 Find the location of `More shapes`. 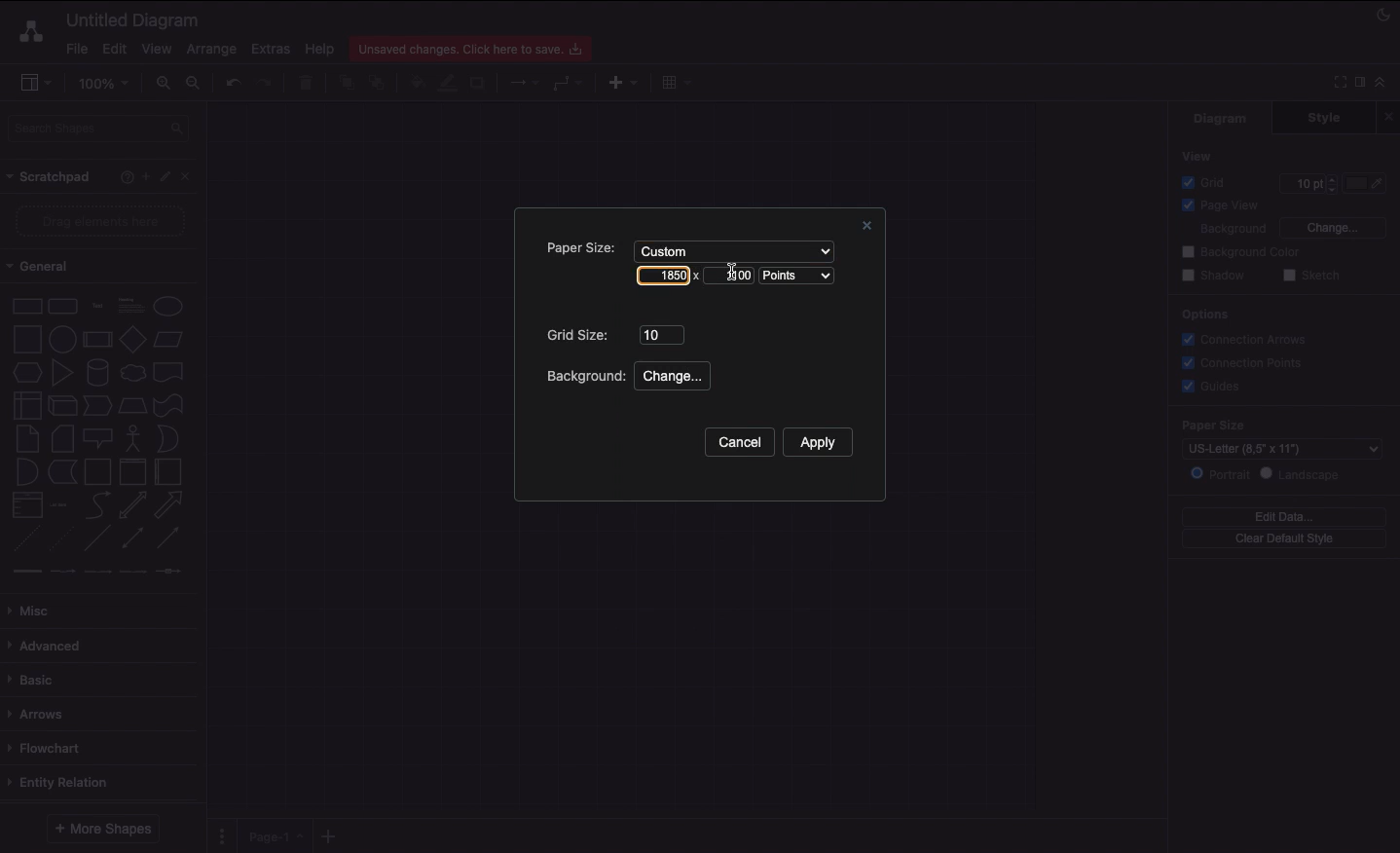

More shapes is located at coordinates (101, 829).